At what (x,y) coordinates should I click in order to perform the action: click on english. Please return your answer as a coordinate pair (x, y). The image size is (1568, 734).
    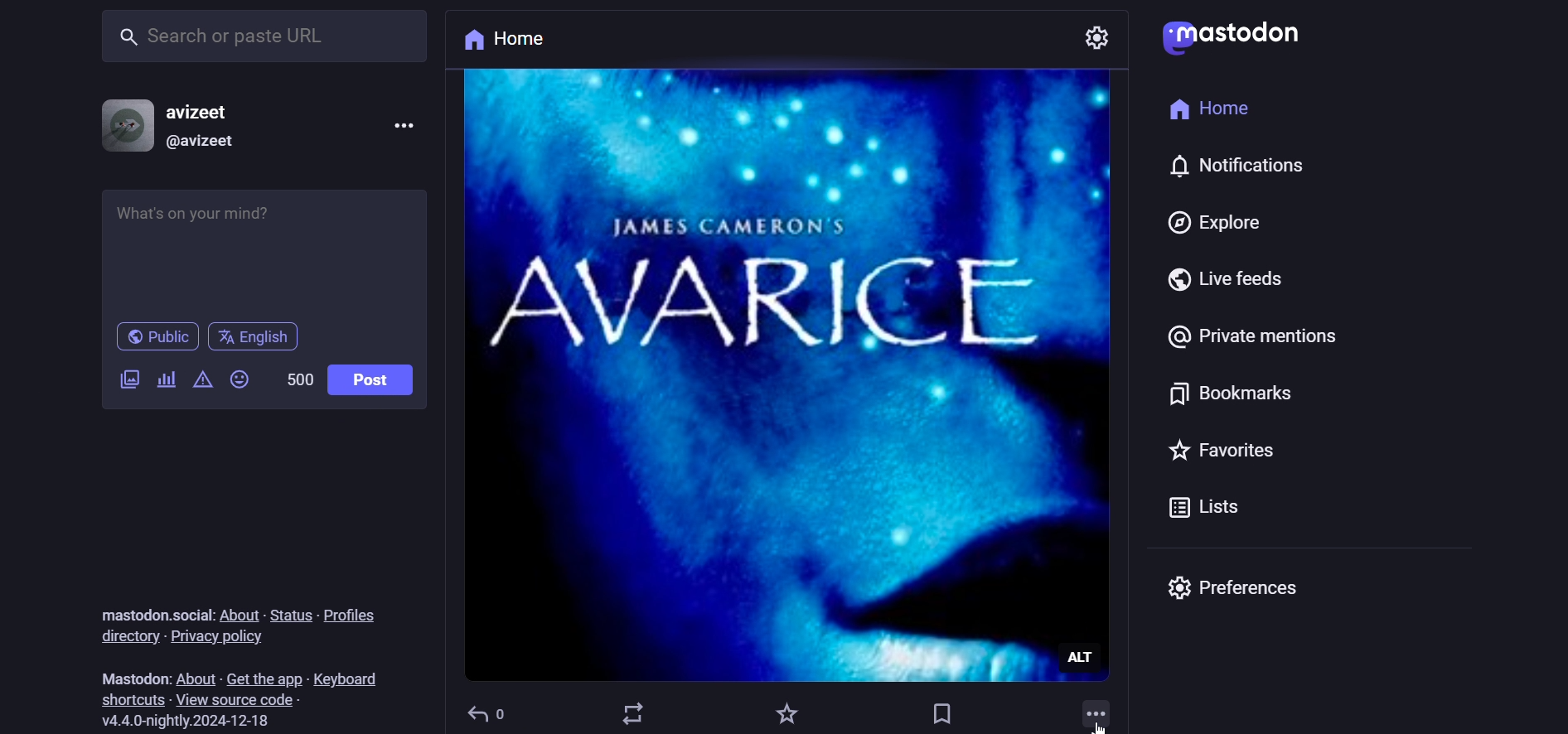
    Looking at the image, I should click on (254, 337).